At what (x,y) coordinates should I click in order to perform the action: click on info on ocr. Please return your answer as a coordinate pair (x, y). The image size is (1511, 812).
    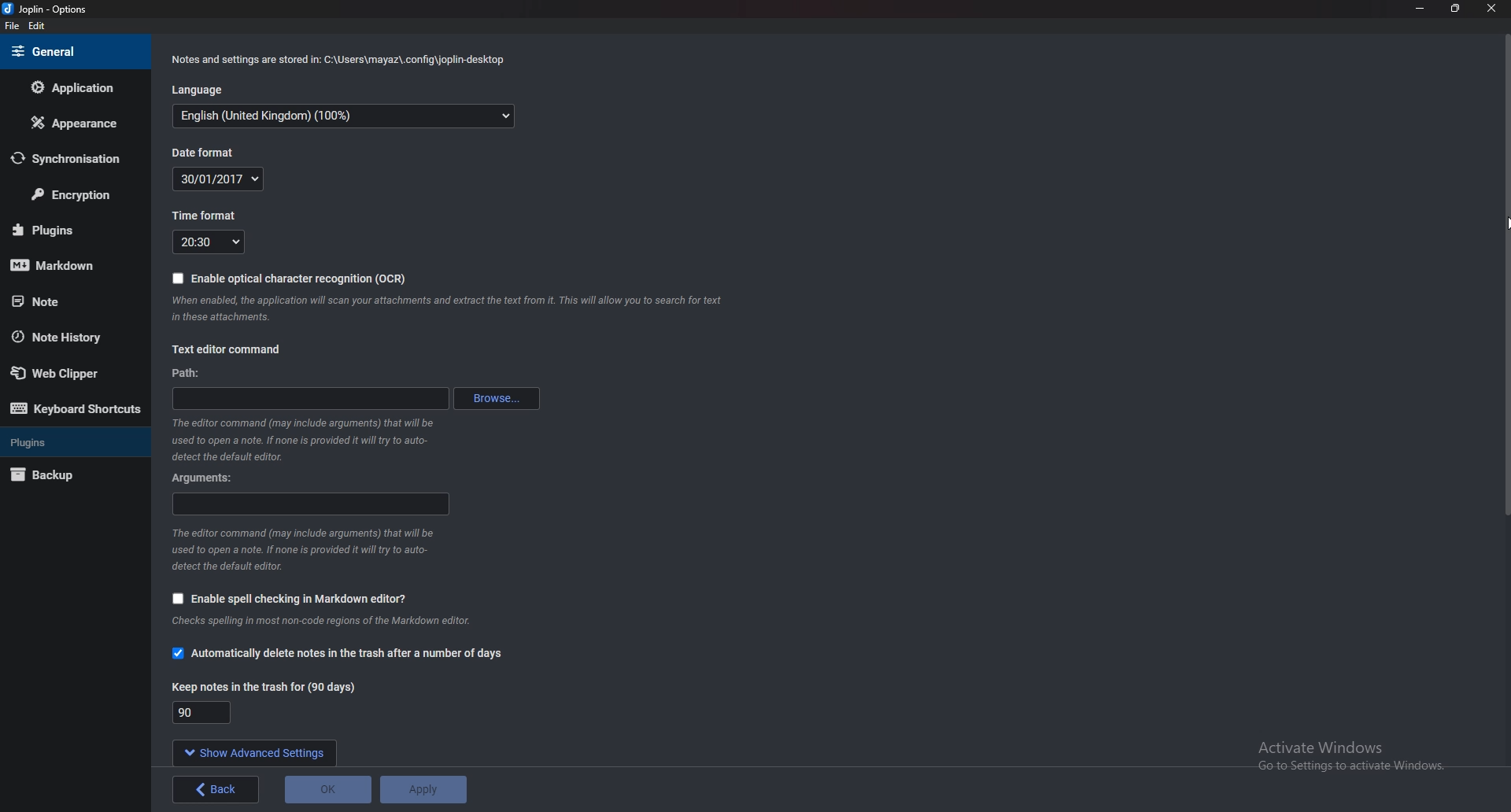
    Looking at the image, I should click on (449, 308).